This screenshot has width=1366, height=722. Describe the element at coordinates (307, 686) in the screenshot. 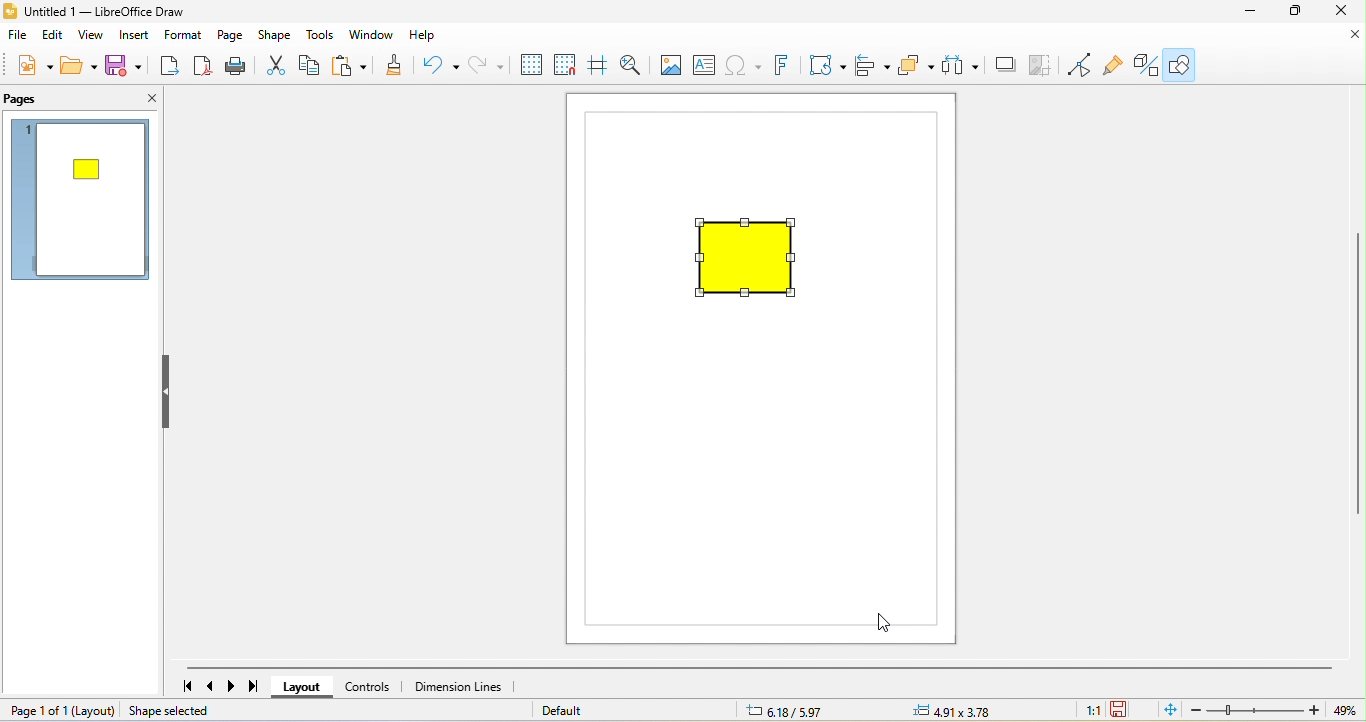

I see `layout` at that location.